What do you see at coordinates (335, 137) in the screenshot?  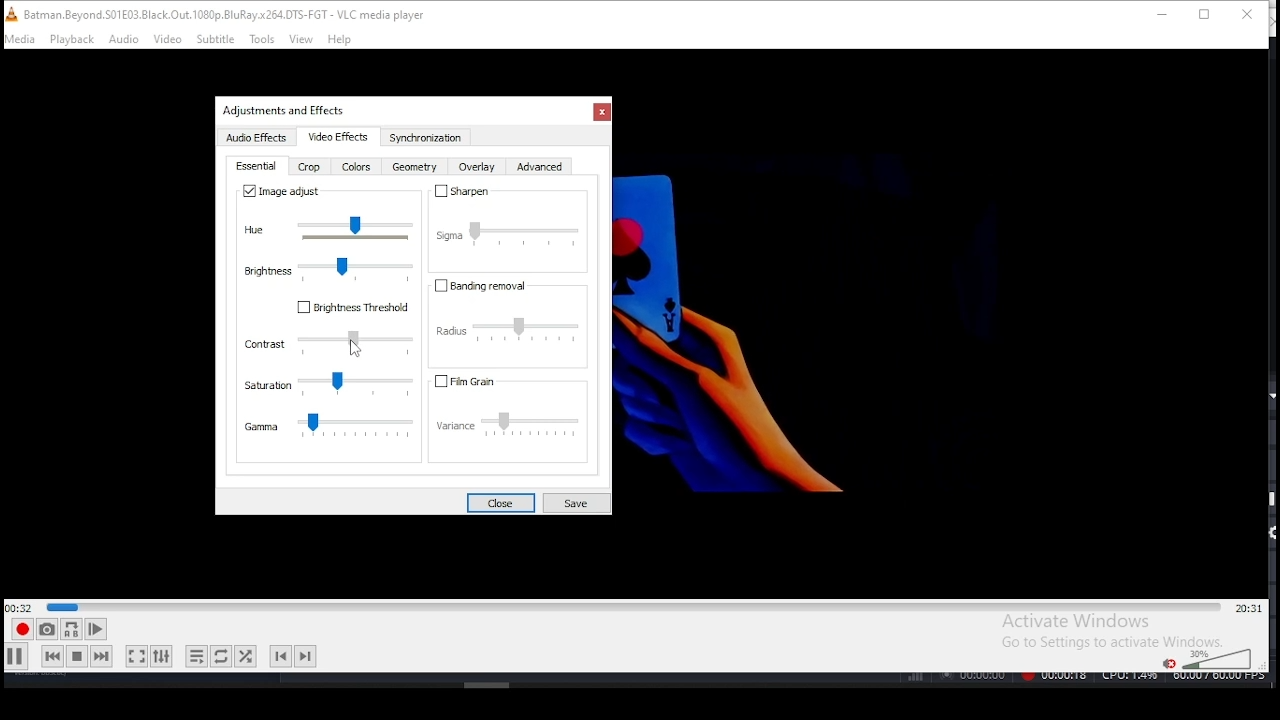 I see `video effects` at bounding box center [335, 137].